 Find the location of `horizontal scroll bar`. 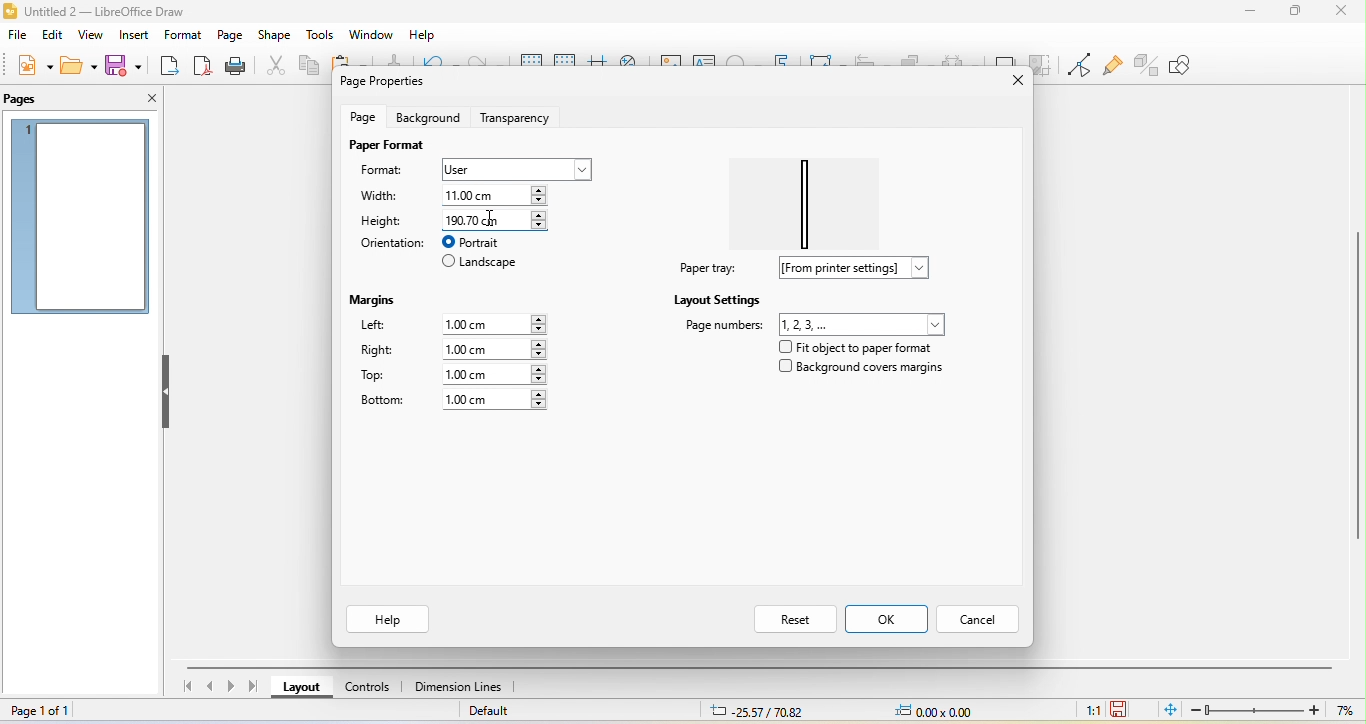

horizontal scroll bar is located at coordinates (763, 665).